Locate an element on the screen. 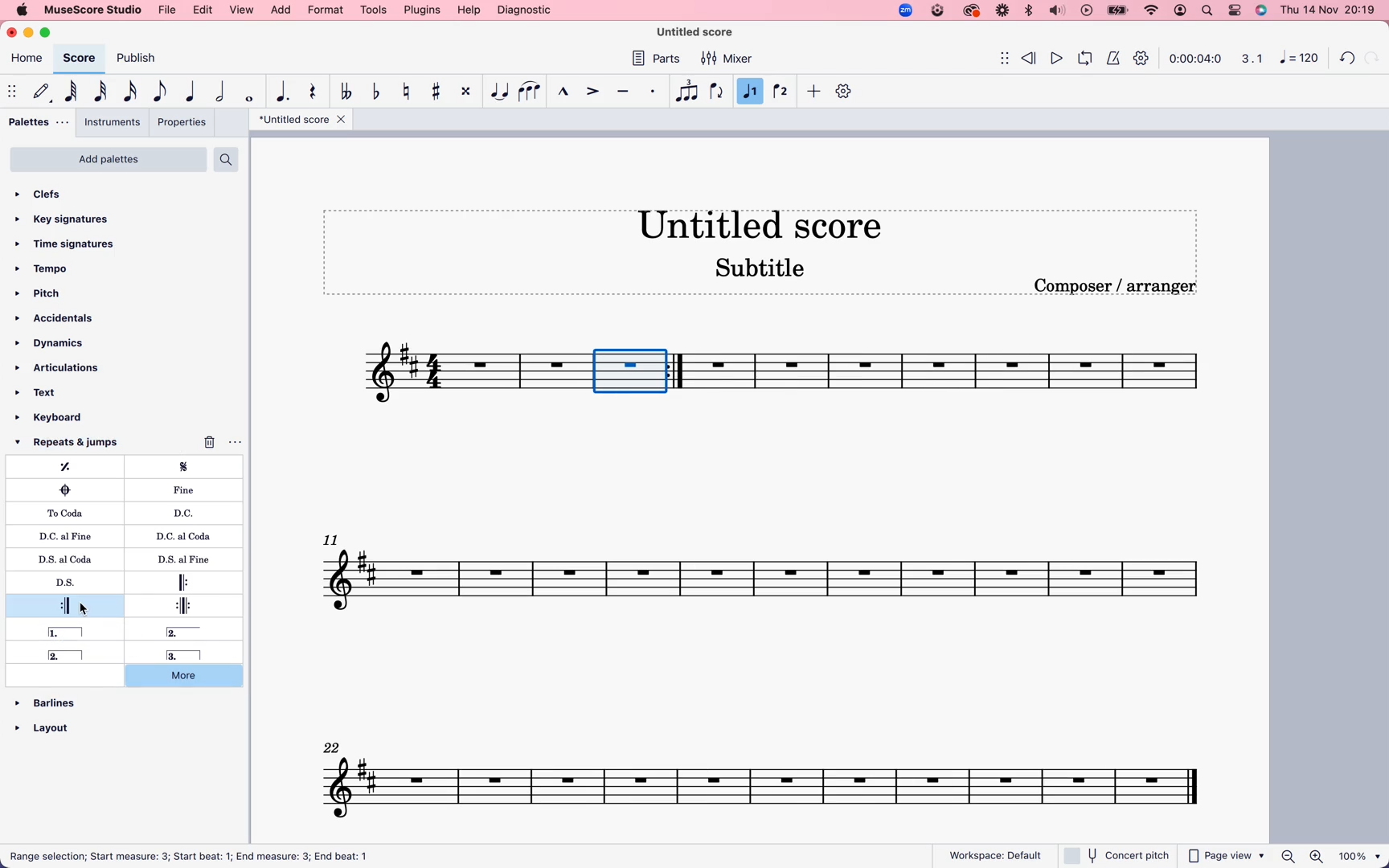  Range selection; Start measure: 3; Start beat: 1; End measure: 3; End beat: 1 is located at coordinates (200, 854).